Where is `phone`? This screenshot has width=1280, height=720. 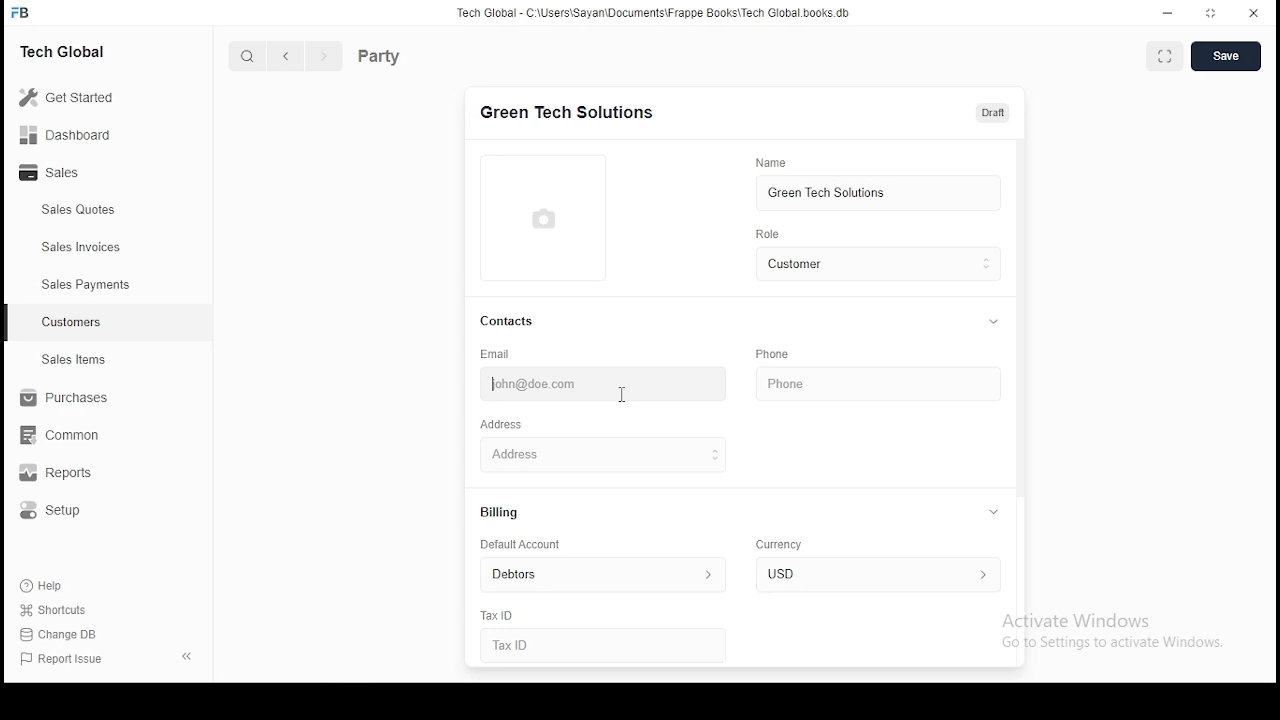
phone is located at coordinates (814, 380).